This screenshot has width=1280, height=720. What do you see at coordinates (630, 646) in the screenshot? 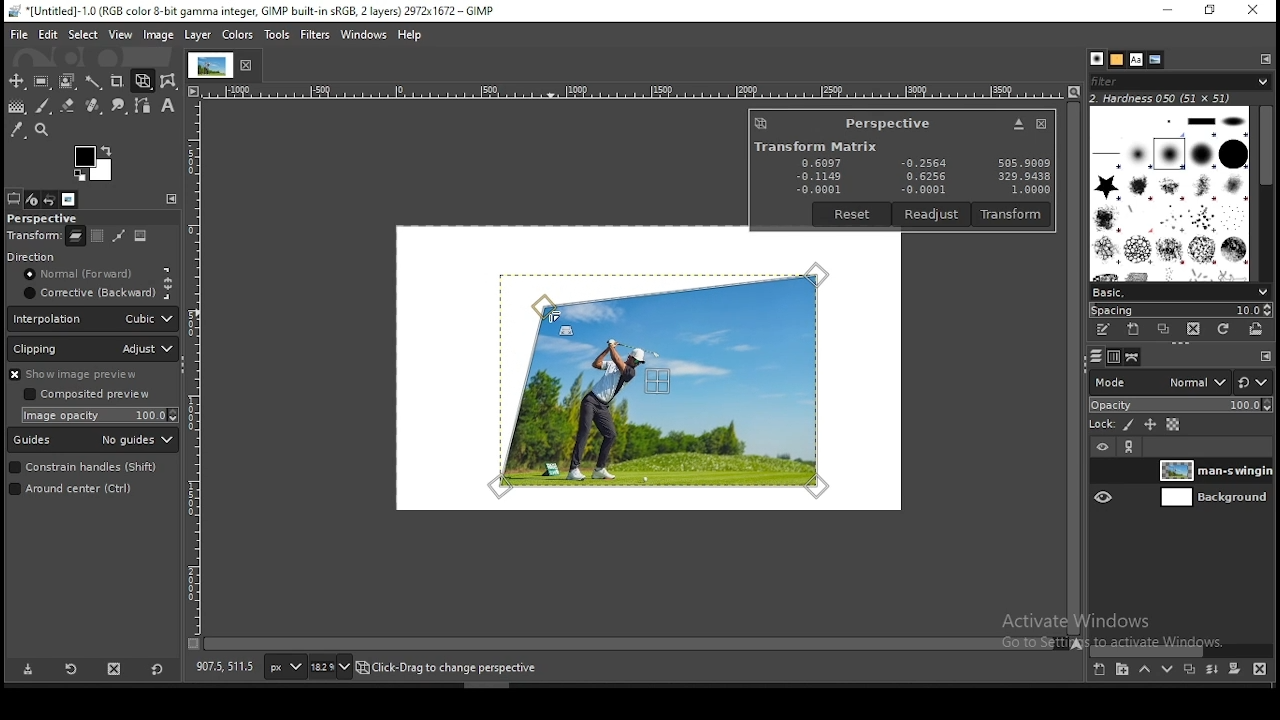
I see `scroll bar` at bounding box center [630, 646].